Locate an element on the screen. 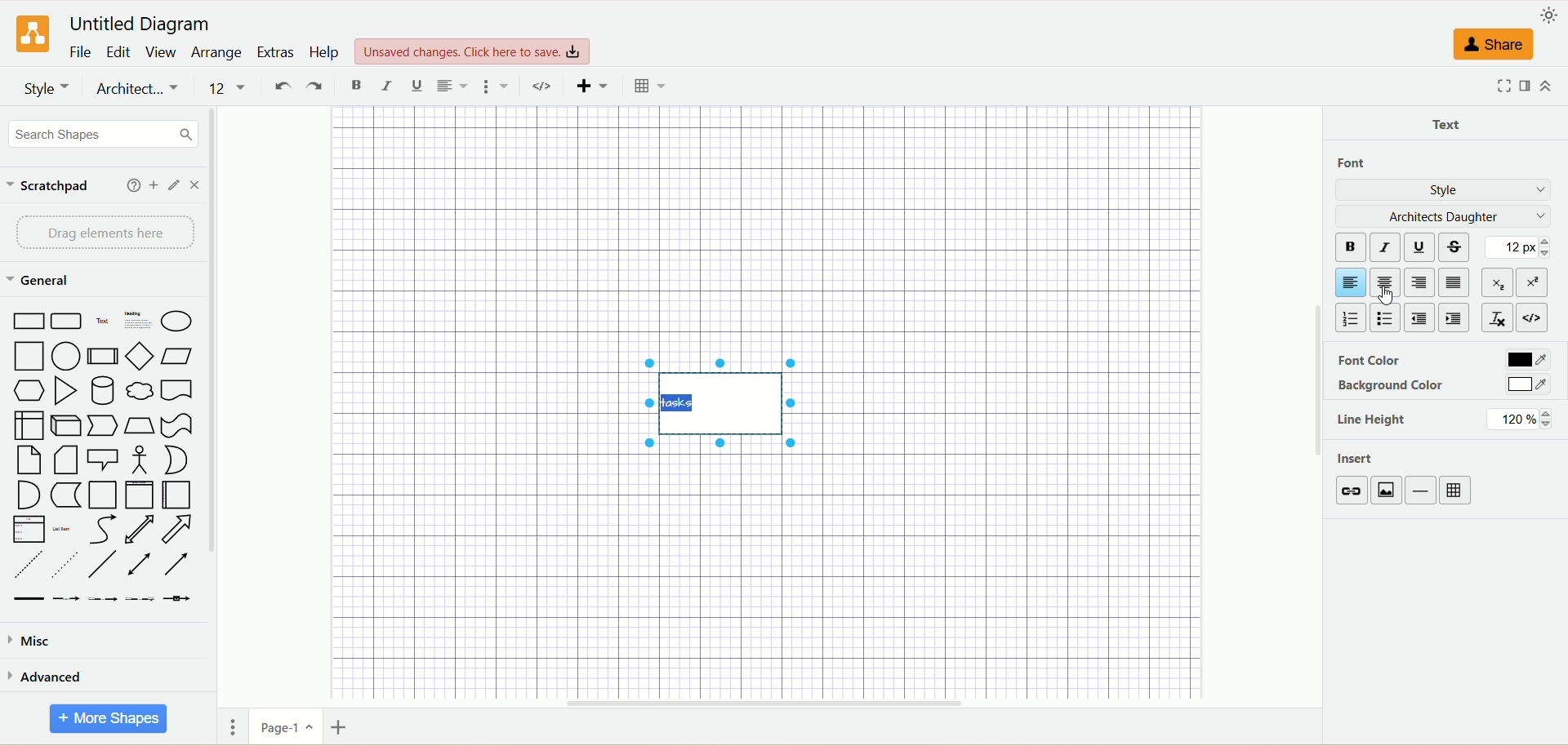 Image resolution: width=1568 pixels, height=746 pixels. Cylinder is located at coordinates (103, 393).